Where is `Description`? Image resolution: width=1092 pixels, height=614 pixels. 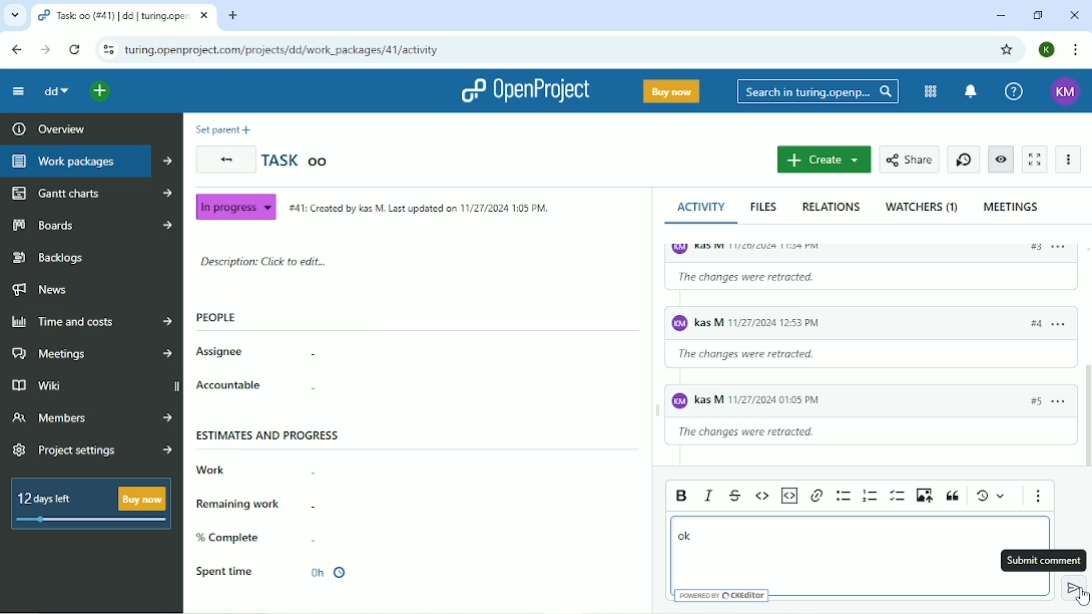 Description is located at coordinates (261, 263).